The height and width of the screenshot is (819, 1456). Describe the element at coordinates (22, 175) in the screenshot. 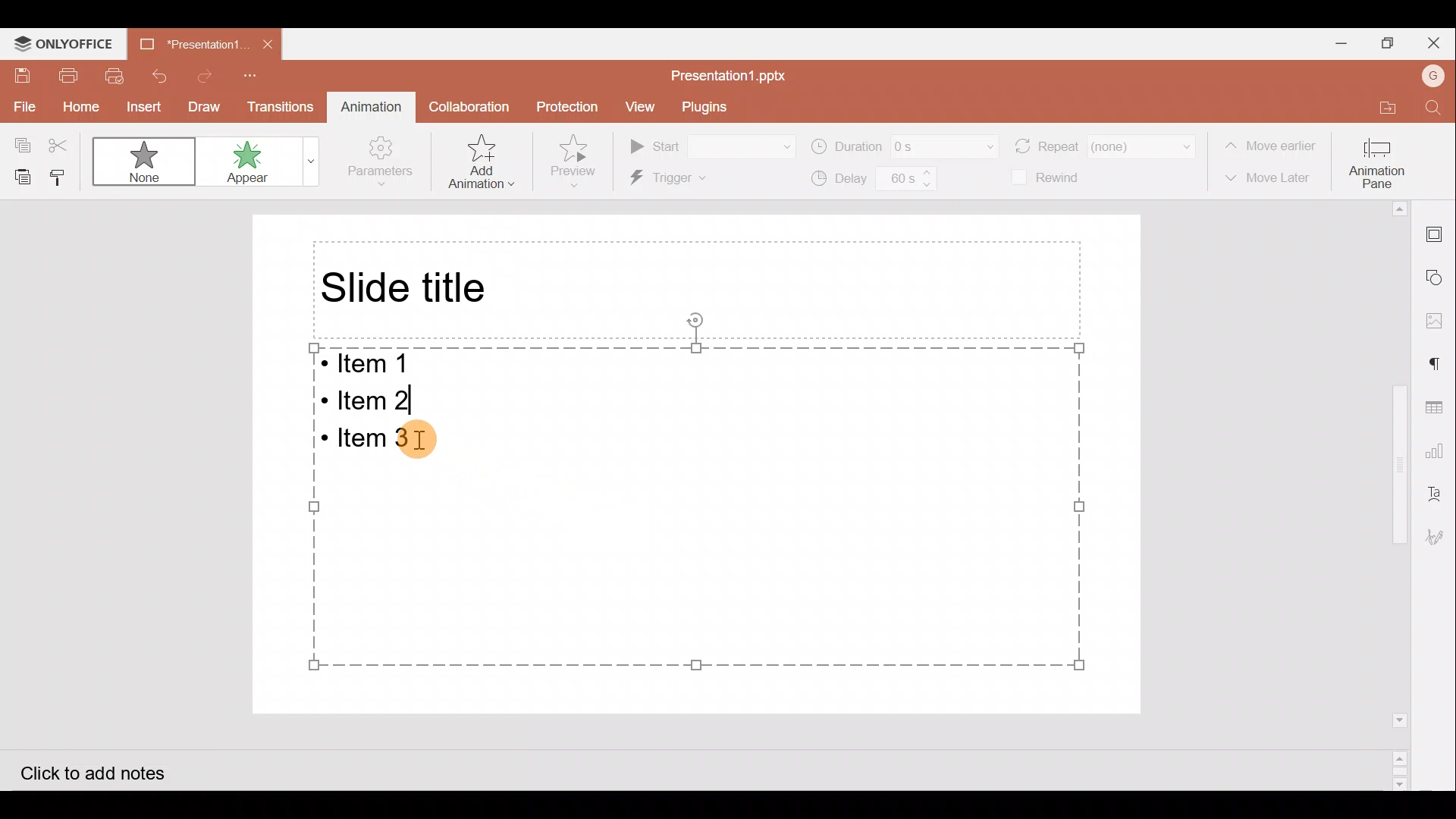

I see `Paste` at that location.